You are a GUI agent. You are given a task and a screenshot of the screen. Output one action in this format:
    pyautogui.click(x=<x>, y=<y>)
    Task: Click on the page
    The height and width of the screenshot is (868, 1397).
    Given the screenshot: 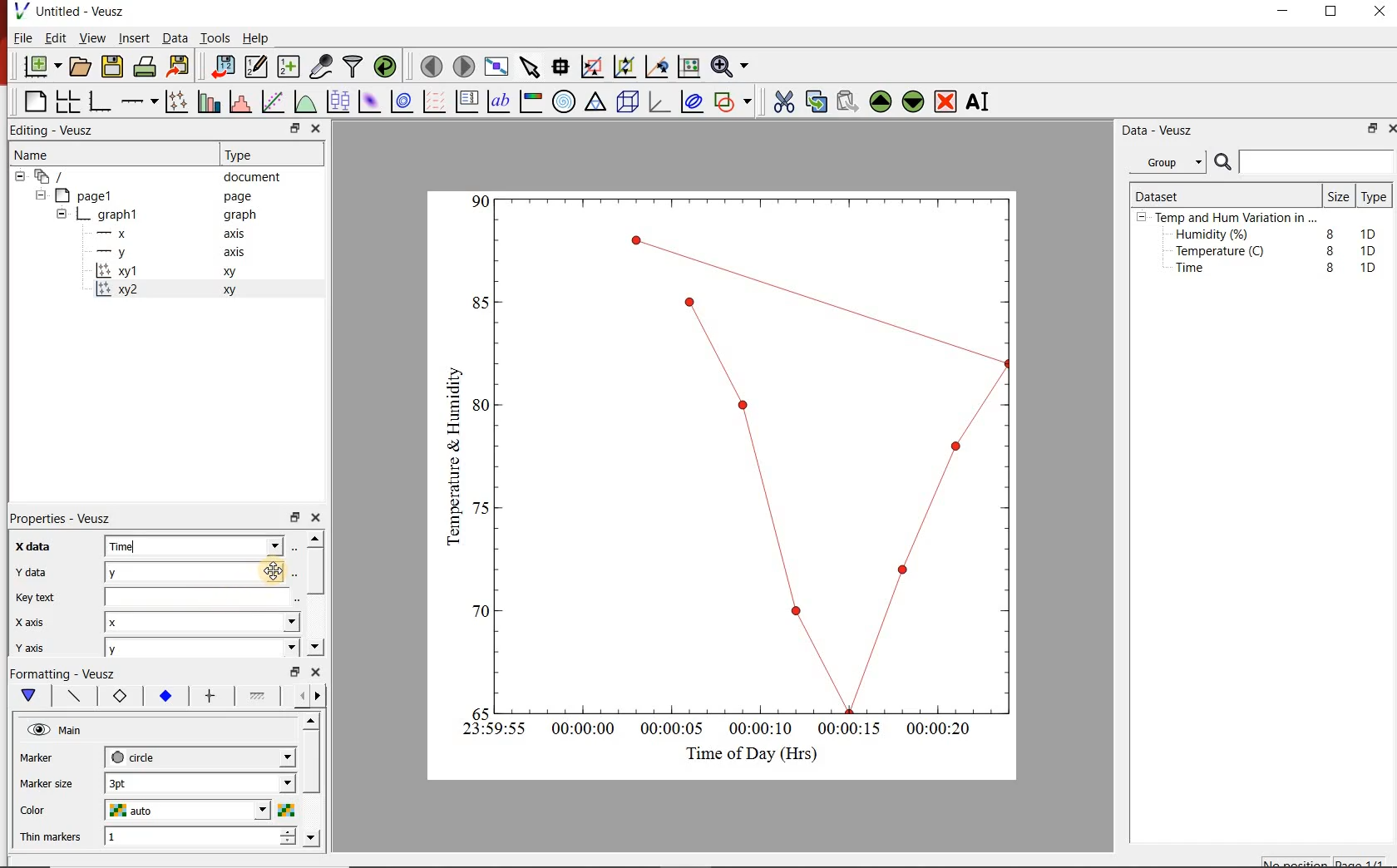 What is the action you would take?
    pyautogui.click(x=241, y=197)
    